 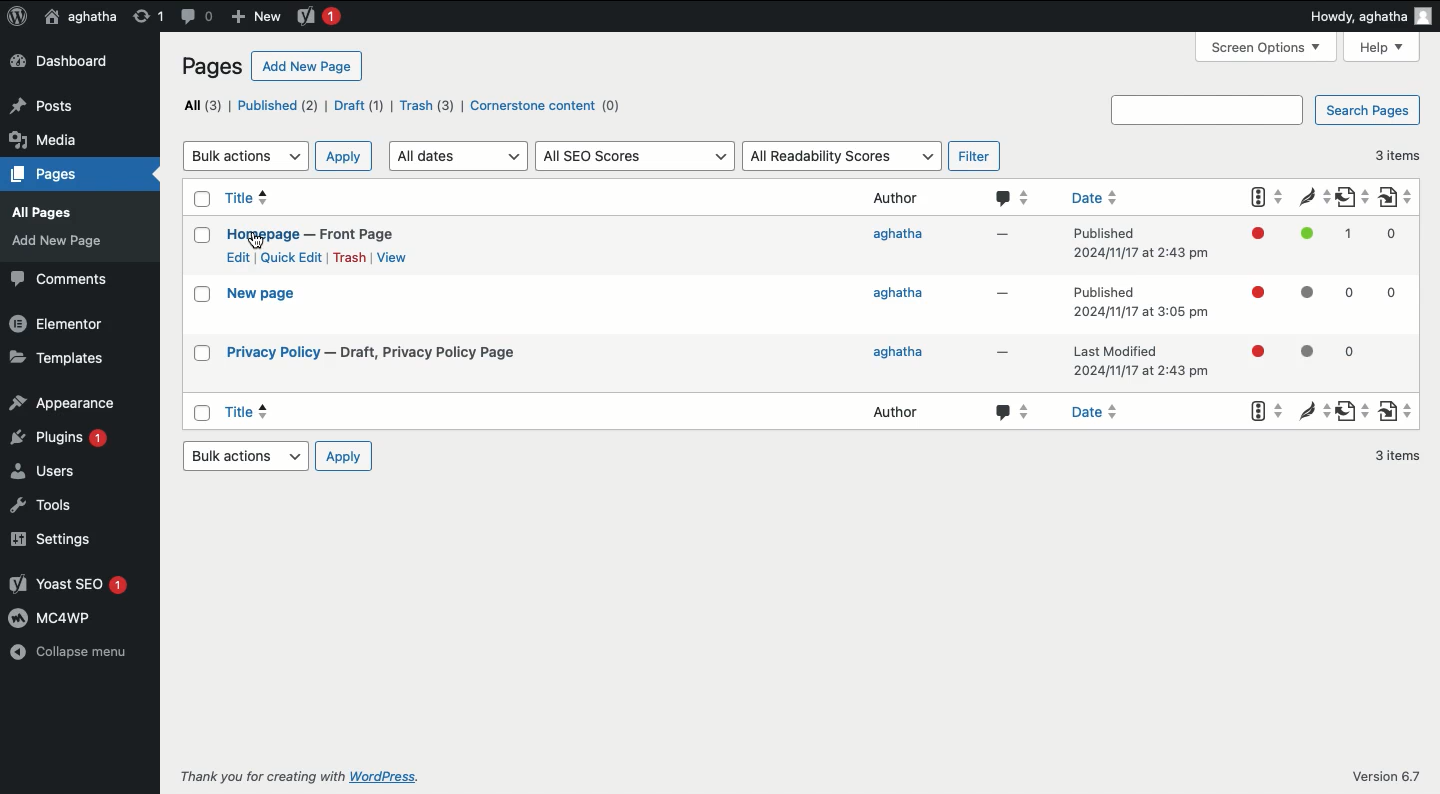 What do you see at coordinates (64, 62) in the screenshot?
I see `Dashboard` at bounding box center [64, 62].